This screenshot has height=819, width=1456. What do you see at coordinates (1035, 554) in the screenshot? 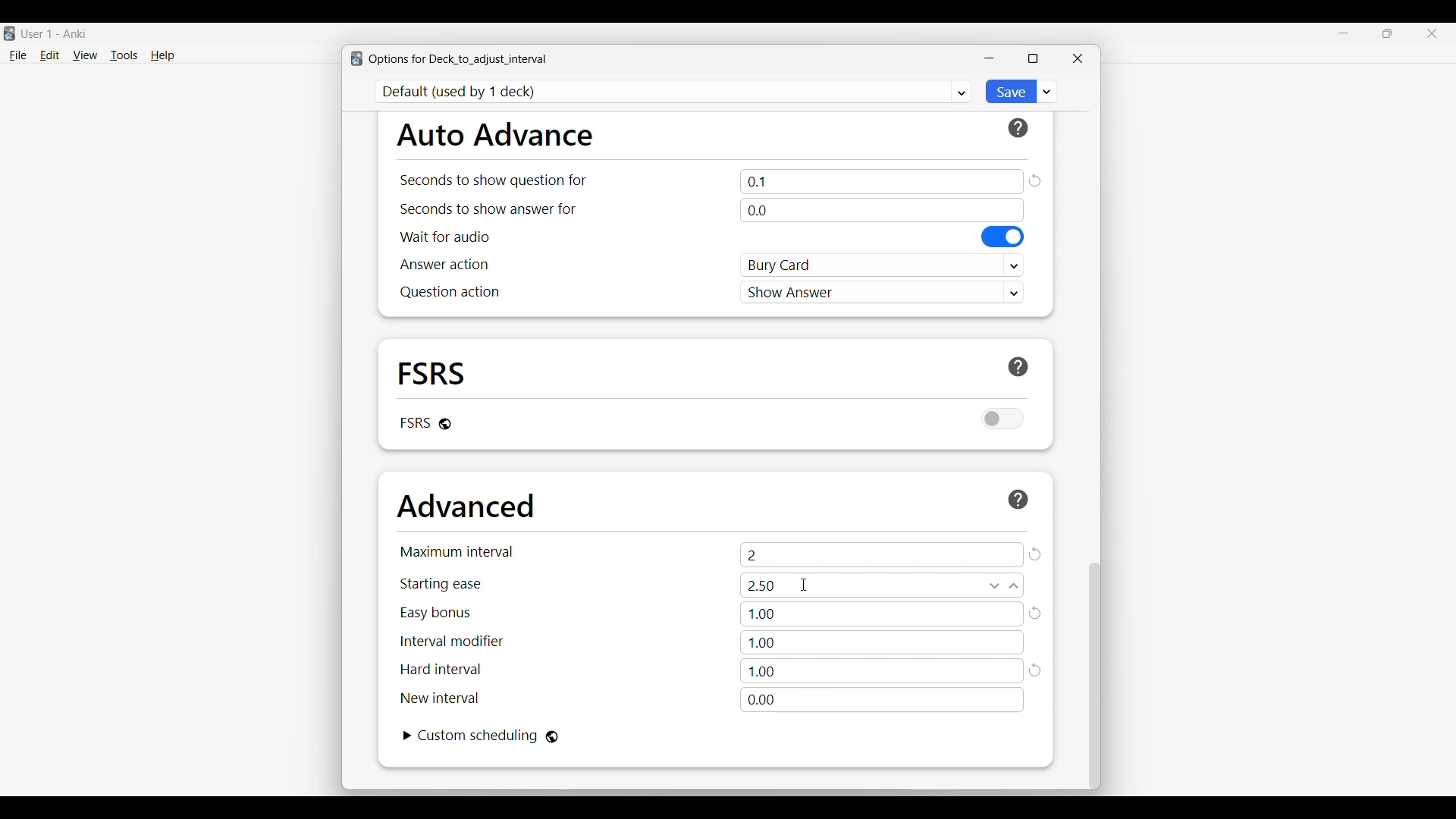
I see `reload` at bounding box center [1035, 554].